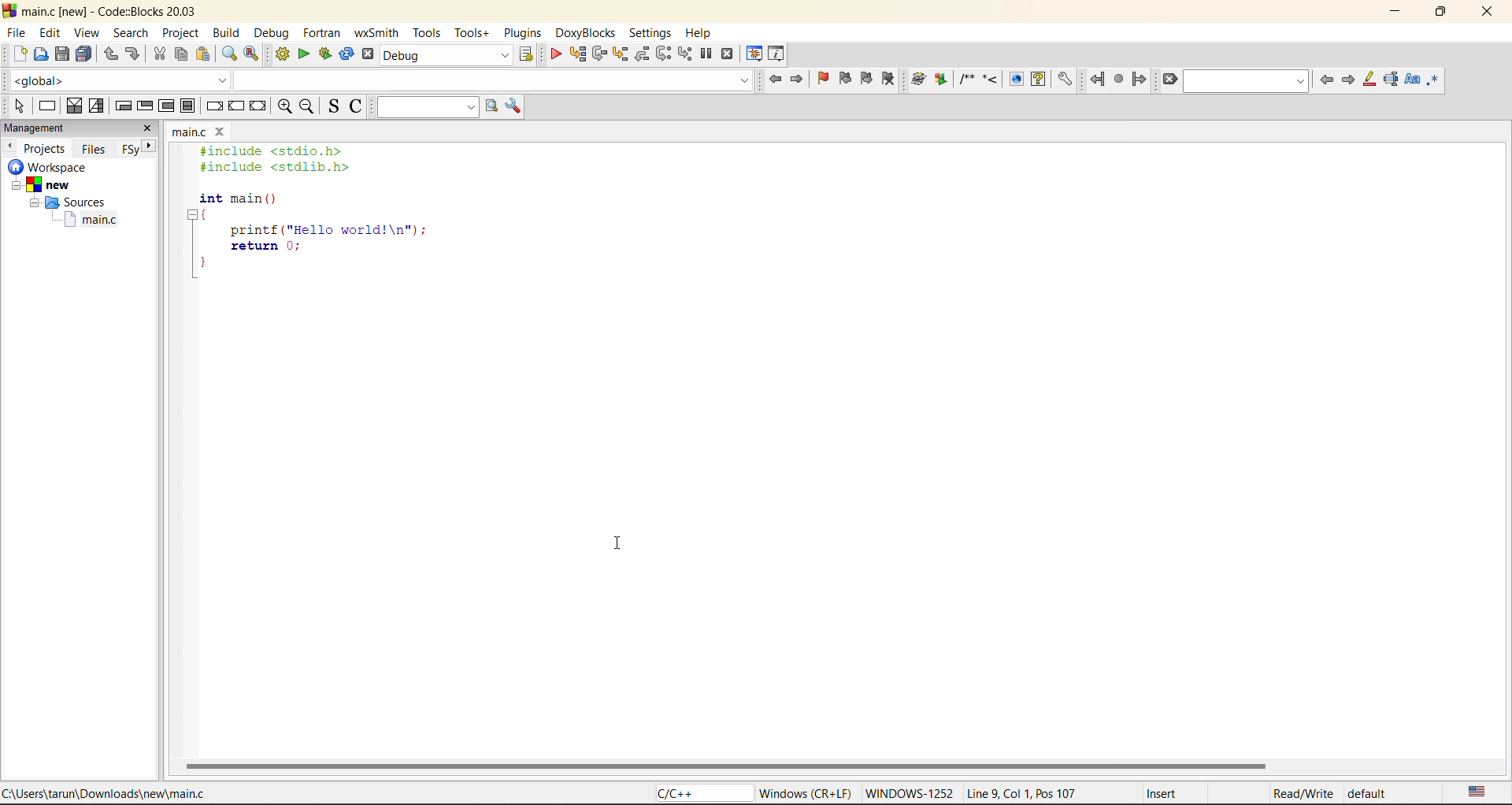 Image resolution: width=1512 pixels, height=805 pixels. What do you see at coordinates (236, 107) in the screenshot?
I see `continue instruction` at bounding box center [236, 107].